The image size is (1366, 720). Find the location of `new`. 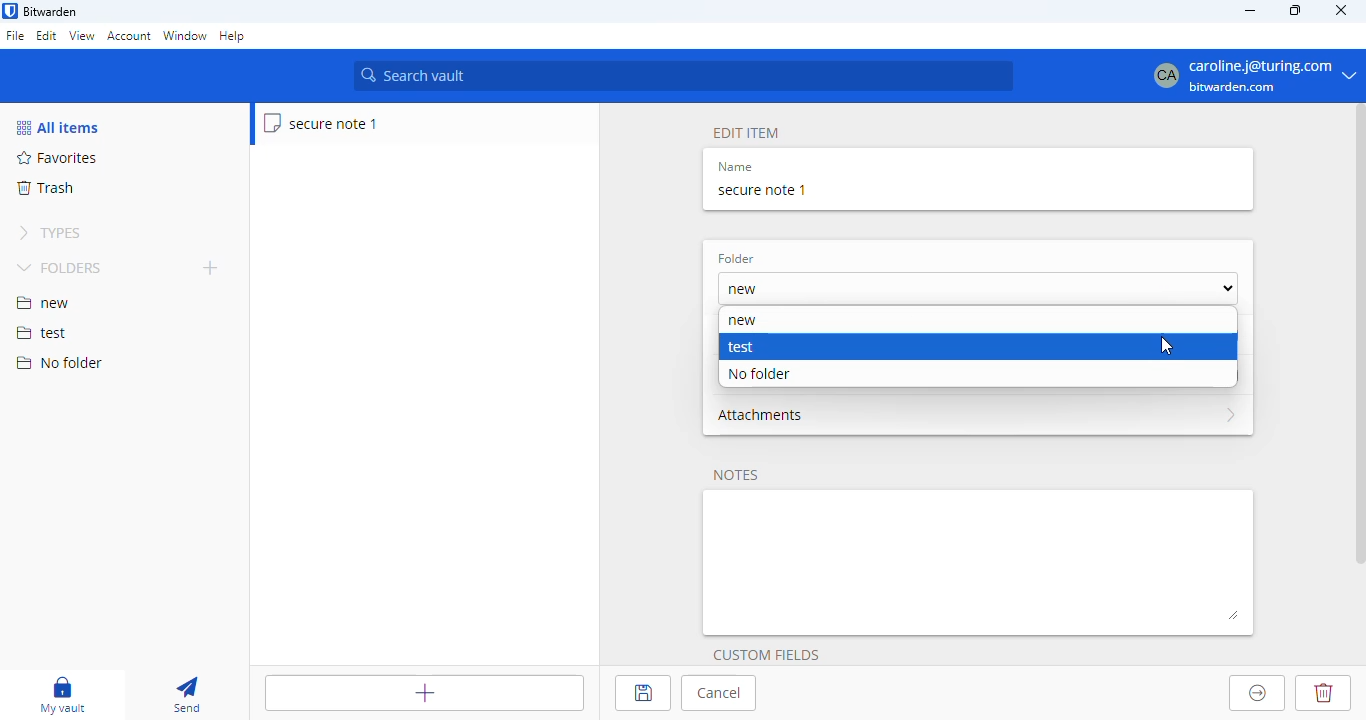

new is located at coordinates (742, 322).